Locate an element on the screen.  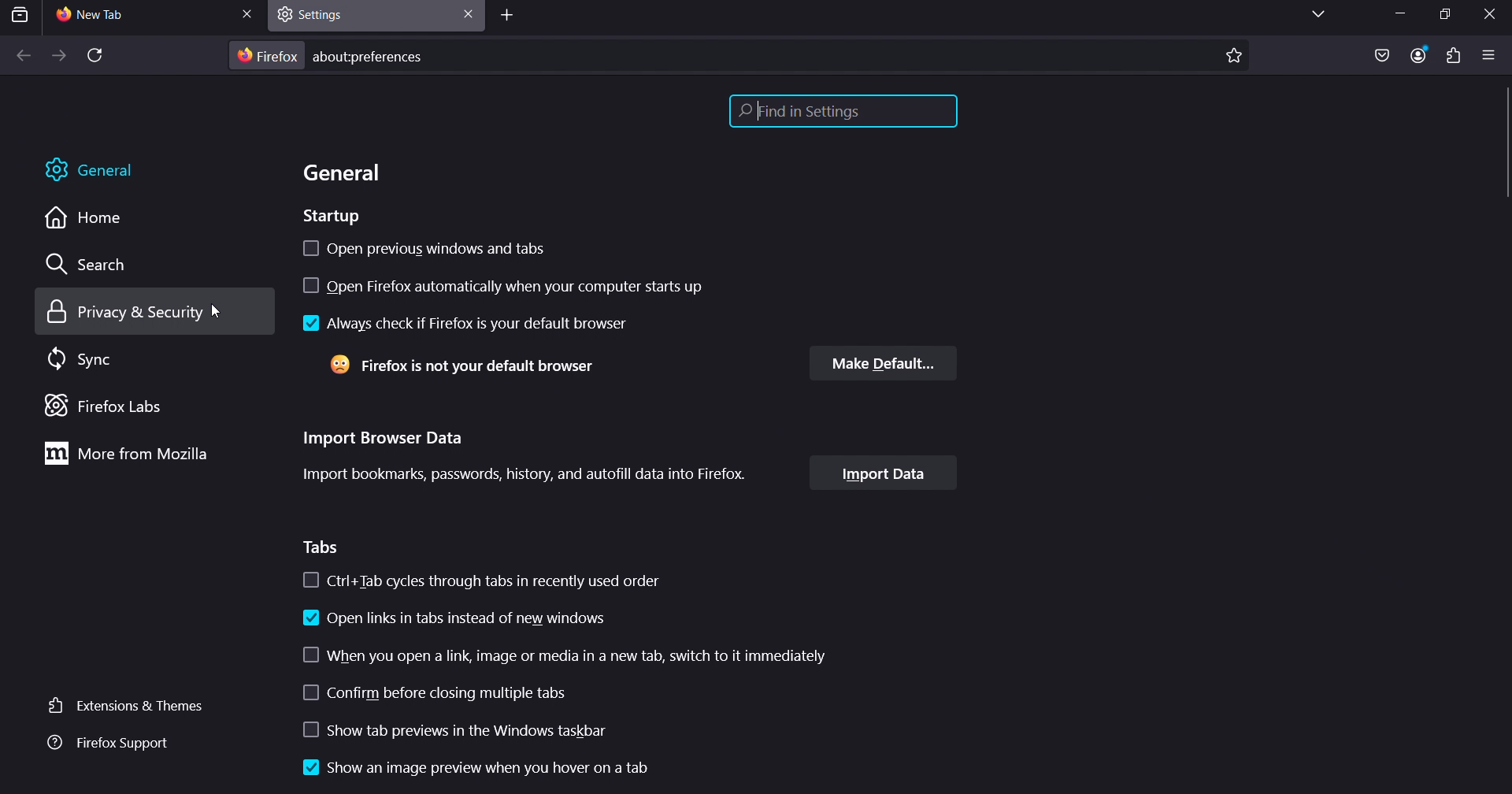
when you open a link image or media switch to new tab immediately is located at coordinates (569, 655).